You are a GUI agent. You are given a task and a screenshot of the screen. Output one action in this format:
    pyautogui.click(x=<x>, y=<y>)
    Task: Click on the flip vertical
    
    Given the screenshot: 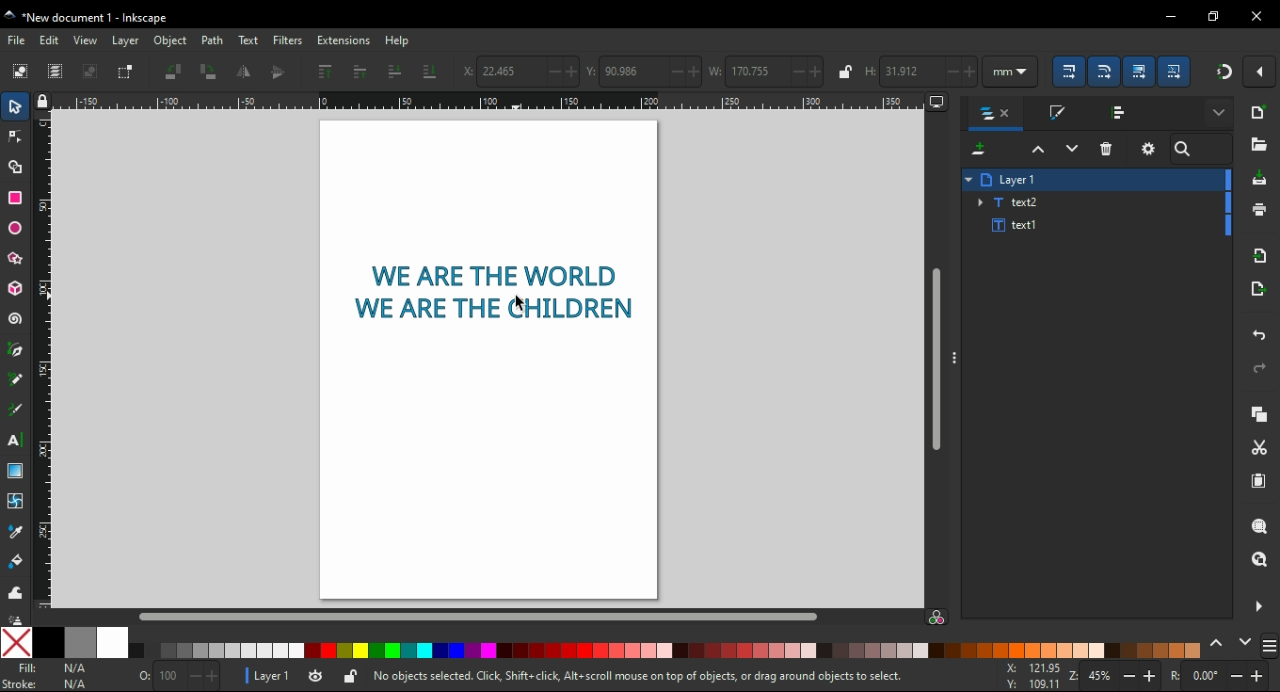 What is the action you would take?
    pyautogui.click(x=278, y=72)
    